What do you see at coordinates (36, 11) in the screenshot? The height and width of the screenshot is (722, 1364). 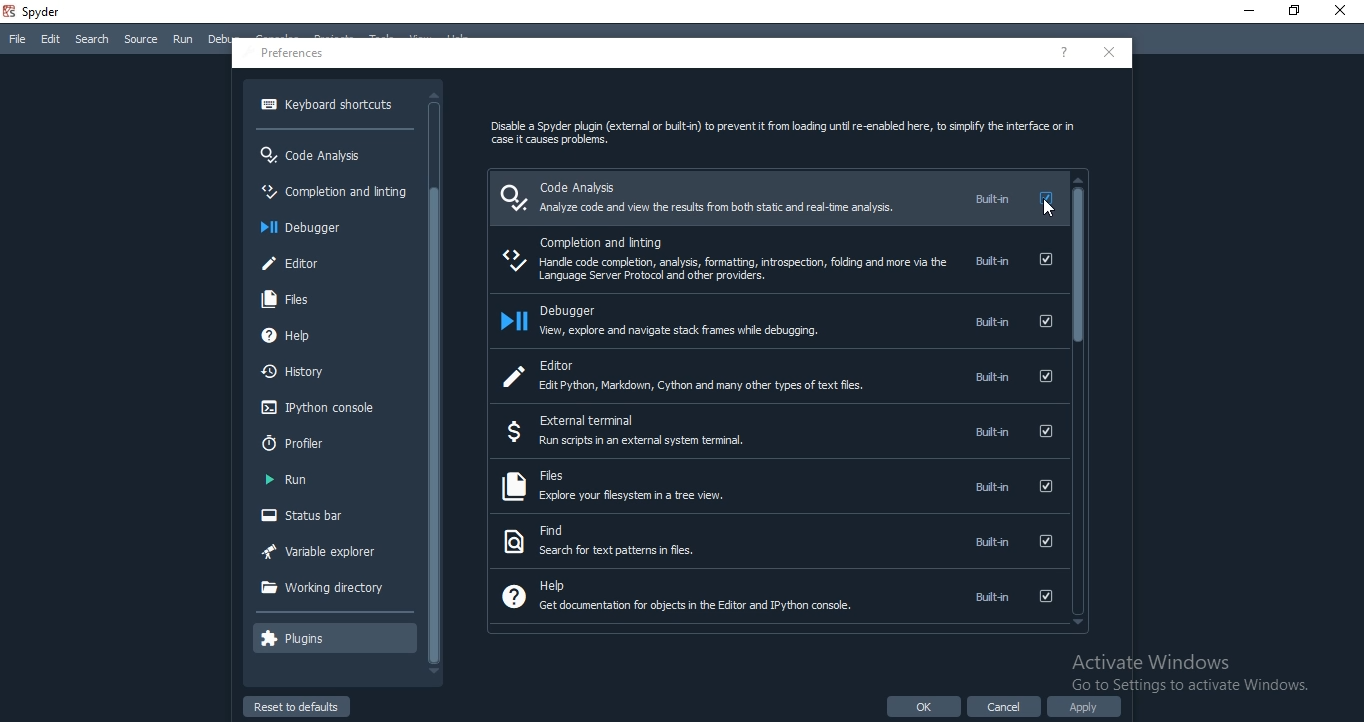 I see `spyder` at bounding box center [36, 11].